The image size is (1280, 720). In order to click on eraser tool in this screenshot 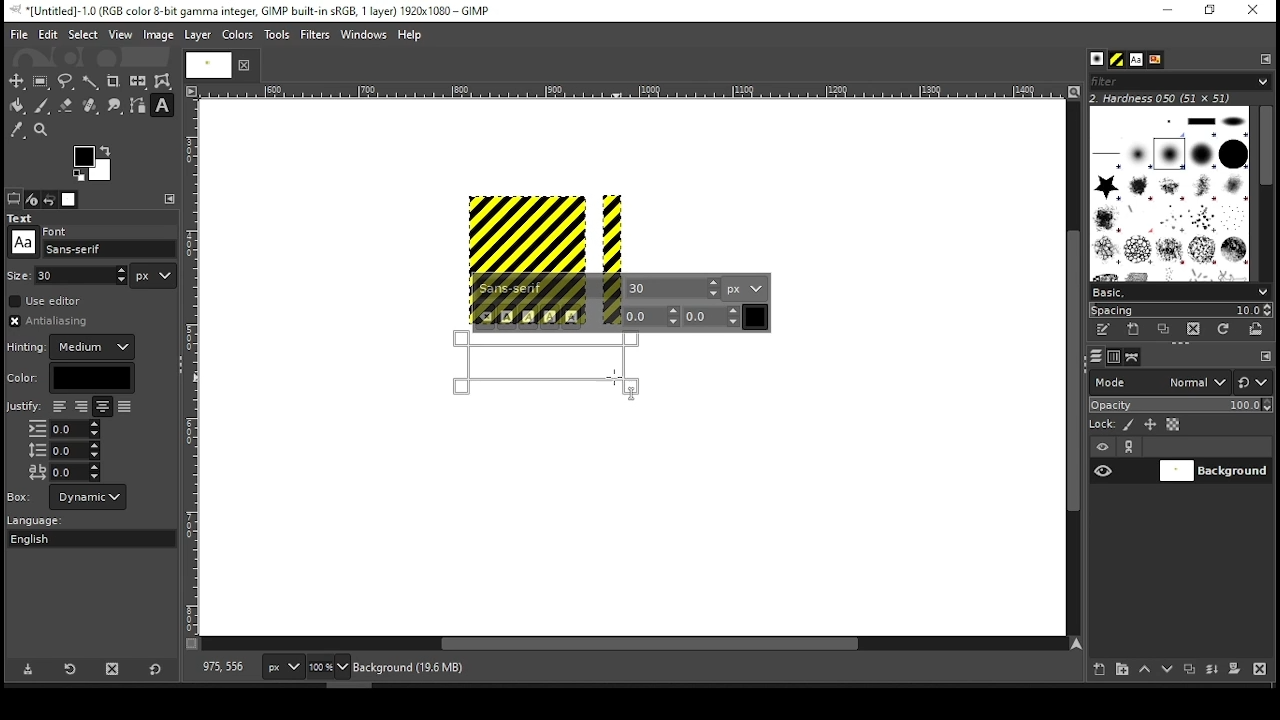, I will do `click(65, 105)`.